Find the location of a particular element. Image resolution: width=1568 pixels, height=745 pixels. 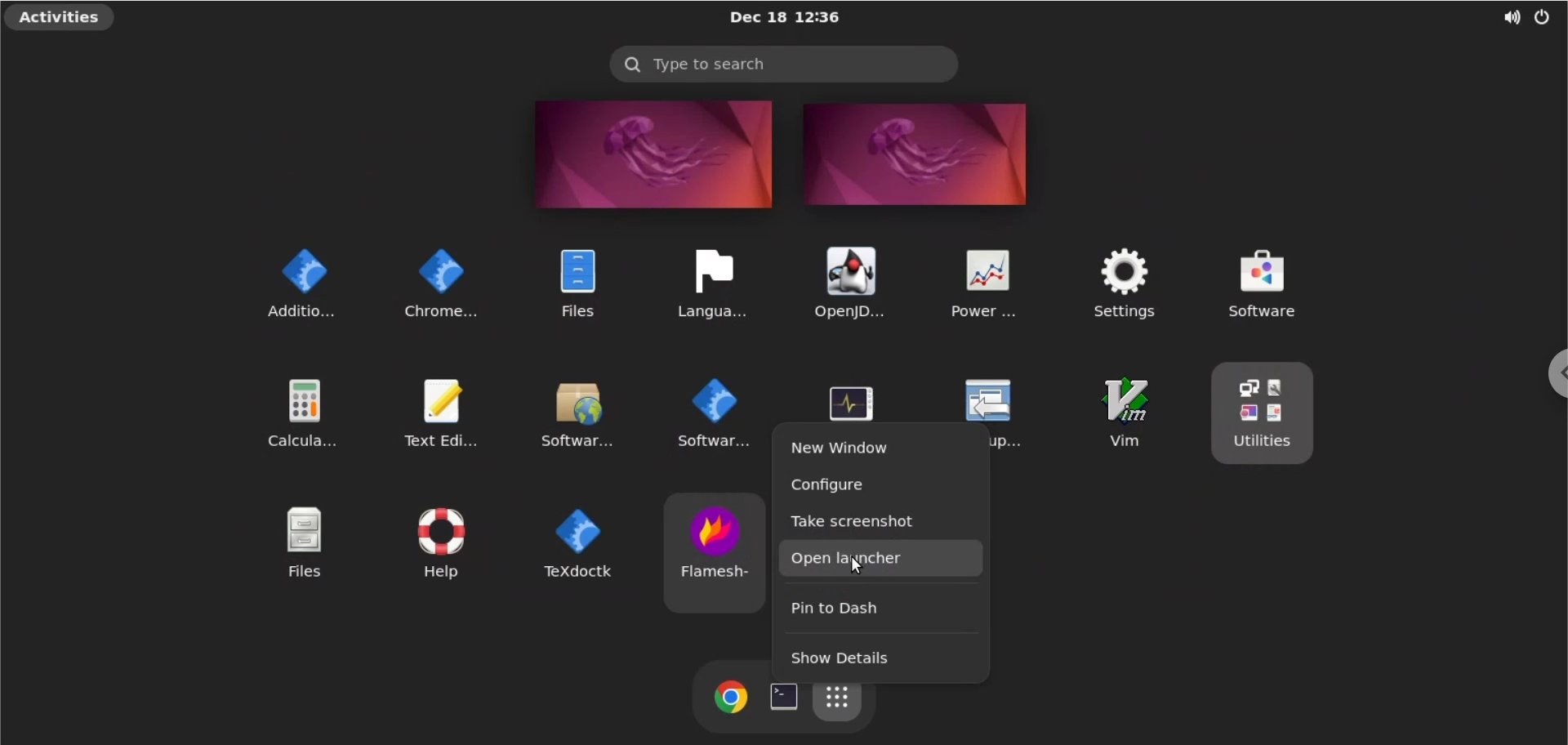

text docs is located at coordinates (575, 542).